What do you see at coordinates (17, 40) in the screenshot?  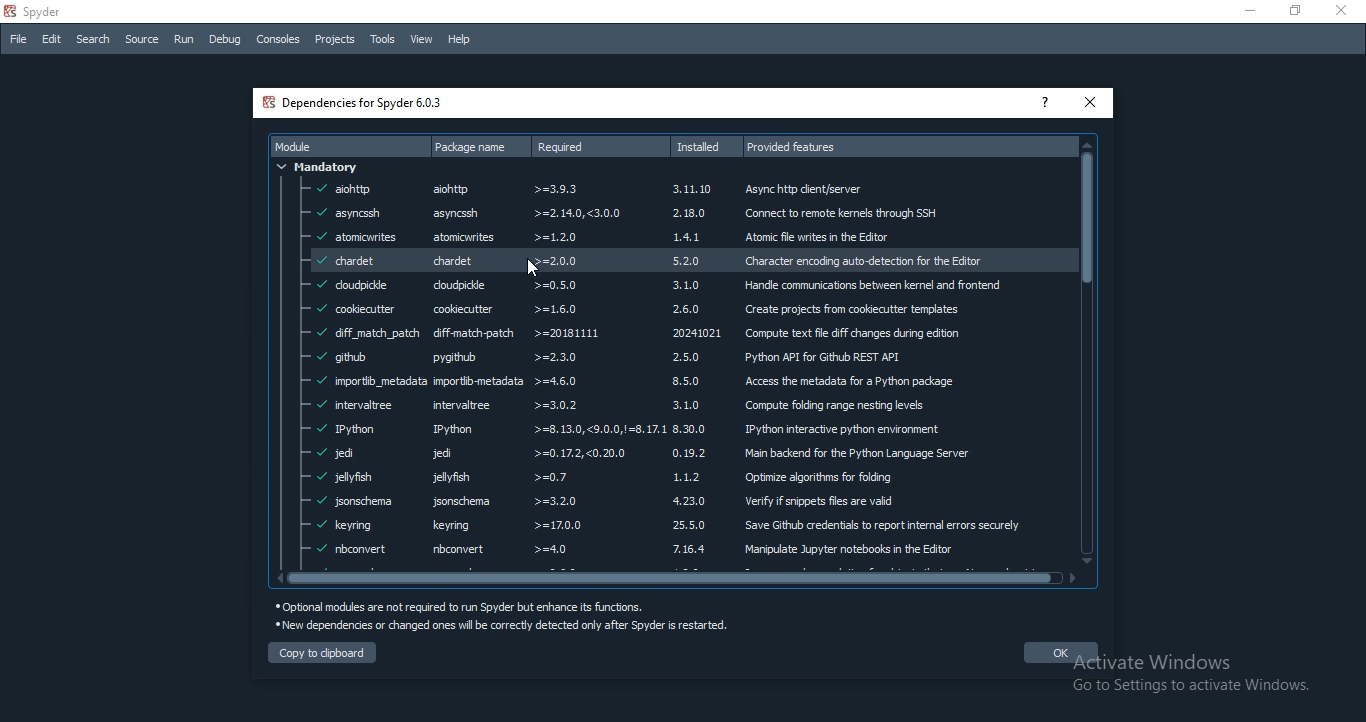 I see `File ` at bounding box center [17, 40].